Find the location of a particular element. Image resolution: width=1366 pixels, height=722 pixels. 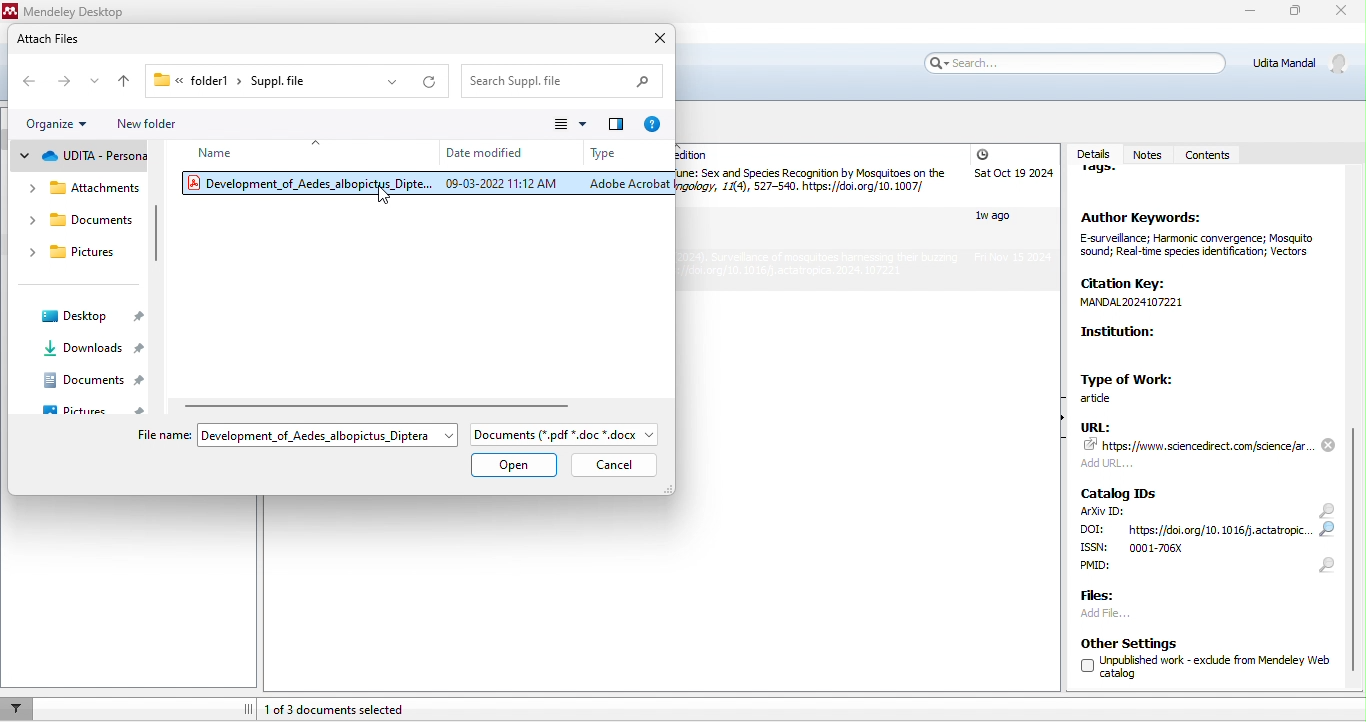

organize is located at coordinates (61, 125).